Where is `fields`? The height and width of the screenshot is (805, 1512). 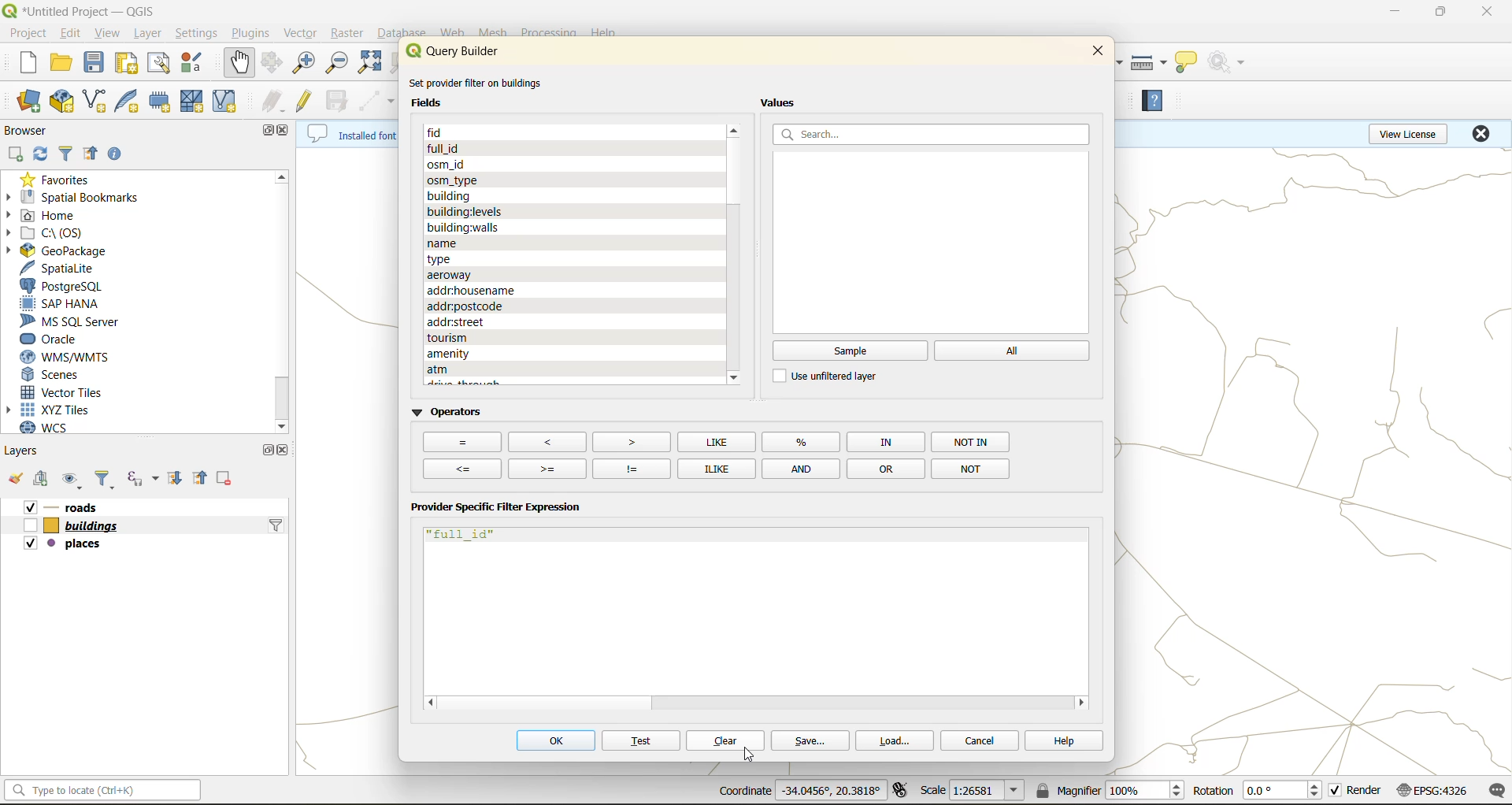 fields is located at coordinates (440, 242).